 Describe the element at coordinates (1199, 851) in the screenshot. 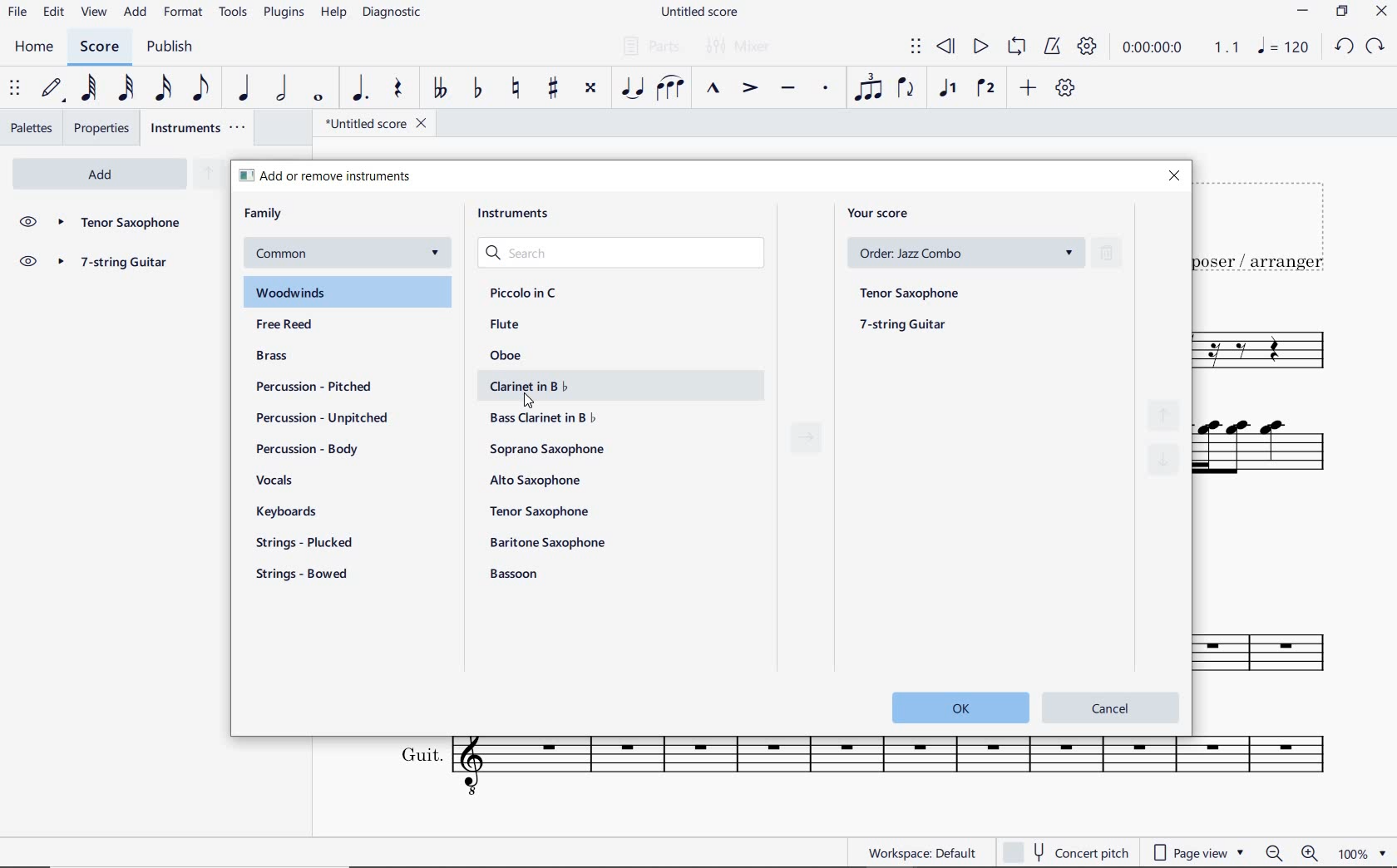

I see `PAGE VIEW` at that location.